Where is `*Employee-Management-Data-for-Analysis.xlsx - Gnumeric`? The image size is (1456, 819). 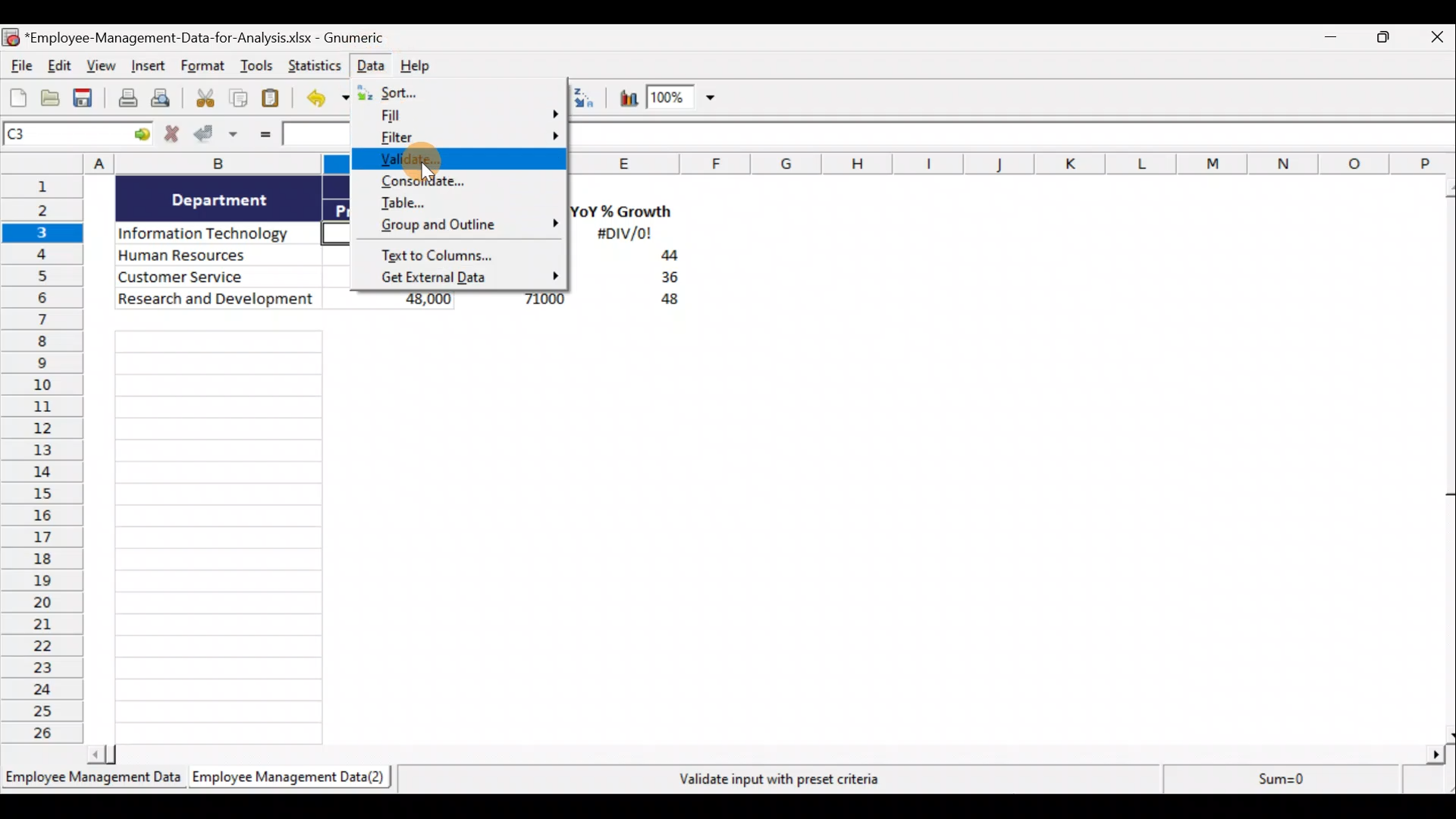
*Employee-Management-Data-for-Analysis.xlsx - Gnumeric is located at coordinates (222, 36).